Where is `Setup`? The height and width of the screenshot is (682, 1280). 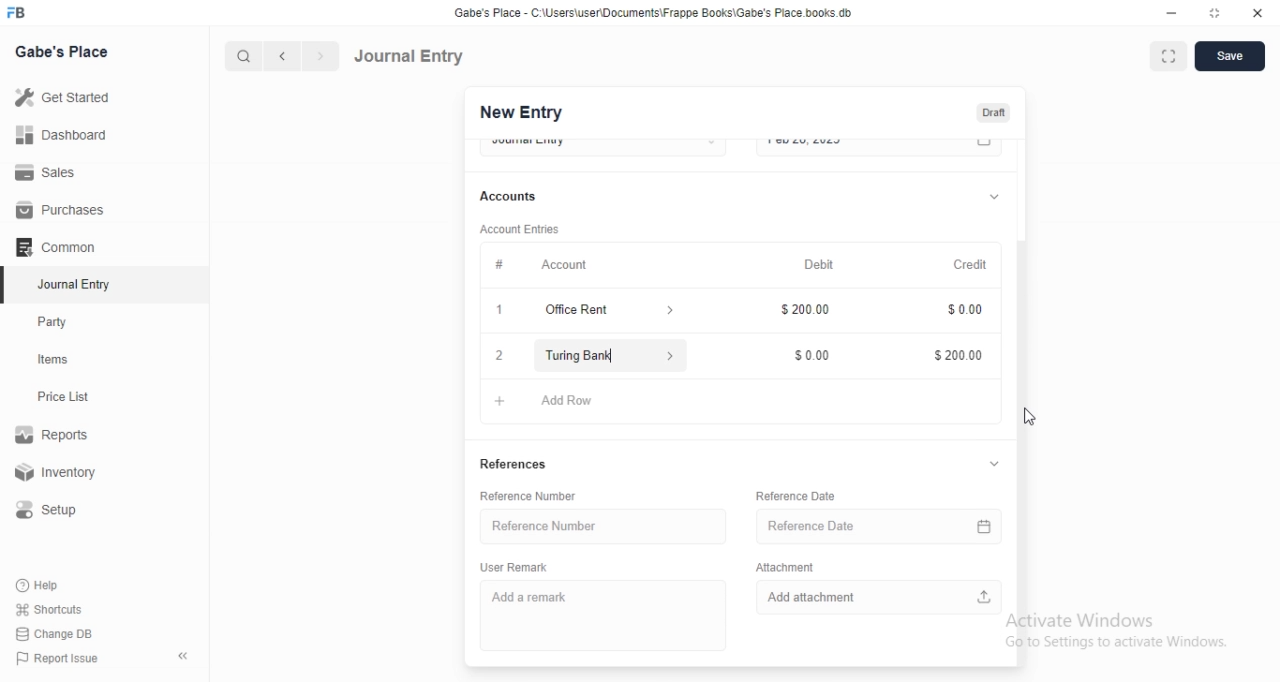
Setup is located at coordinates (54, 510).